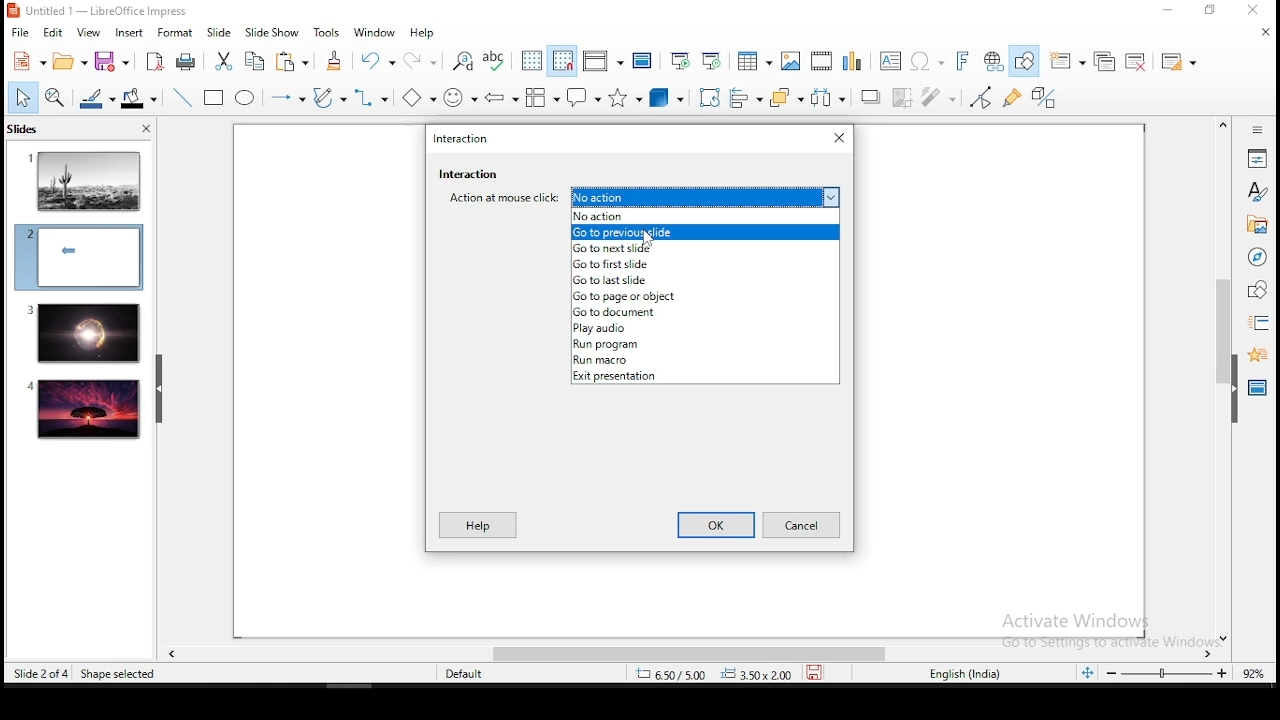 The height and width of the screenshot is (720, 1280). I want to click on save, so click(112, 63).